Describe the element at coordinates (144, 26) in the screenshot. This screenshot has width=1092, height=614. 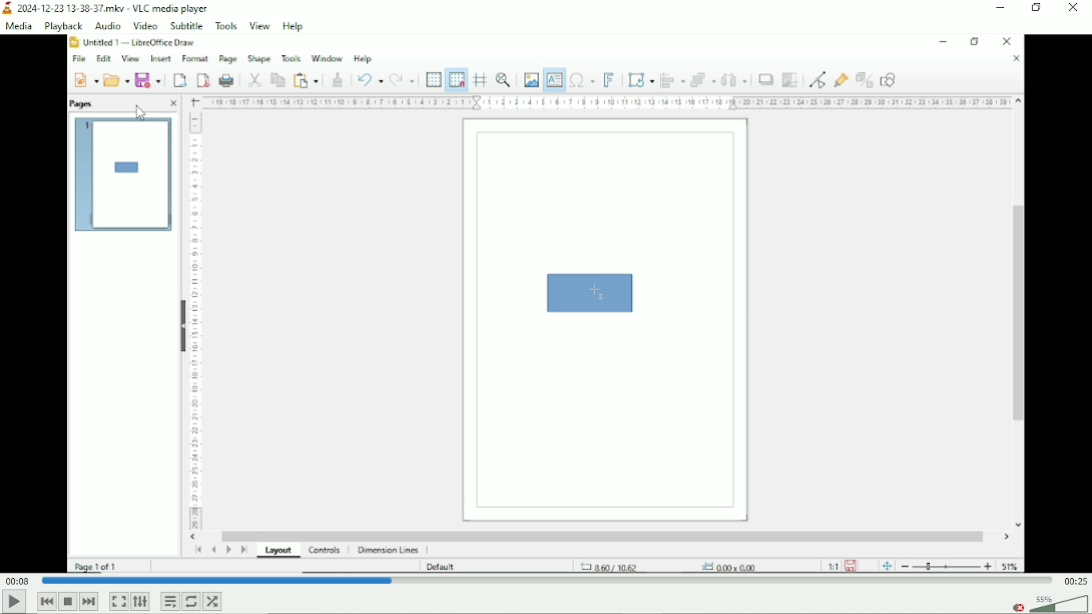
I see `Video` at that location.